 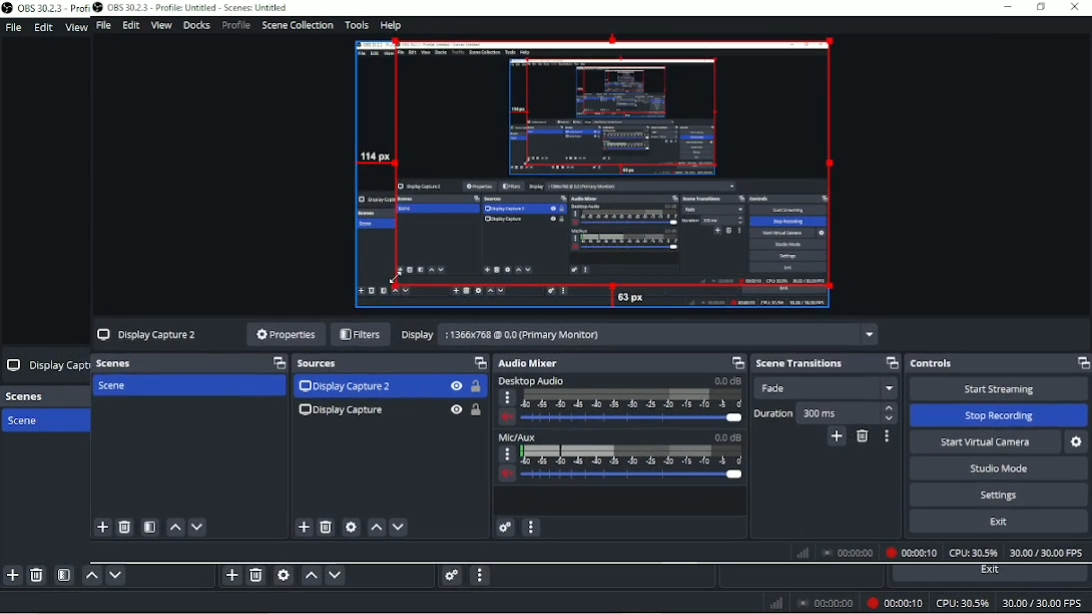 What do you see at coordinates (1006, 524) in the screenshot?
I see `Exit` at bounding box center [1006, 524].